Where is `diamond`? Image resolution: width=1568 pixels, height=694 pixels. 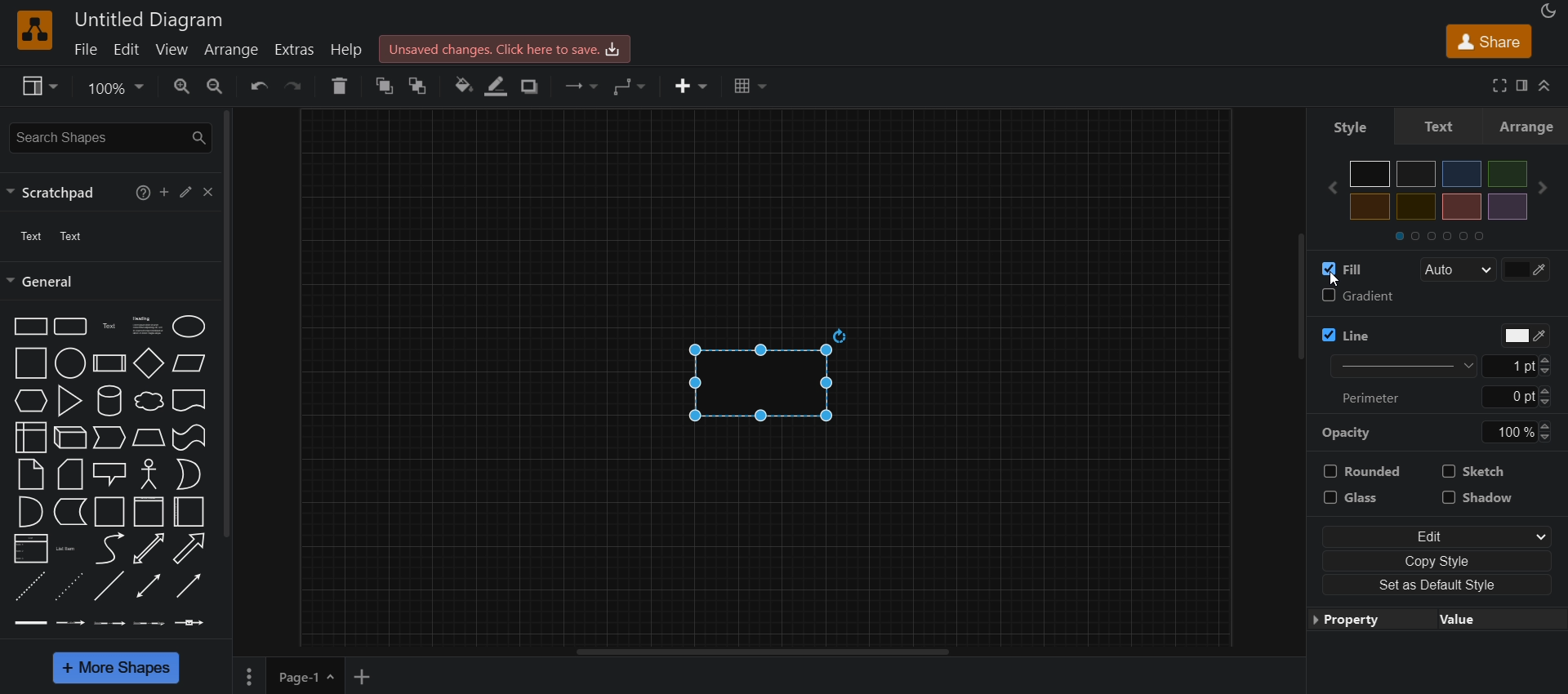 diamond is located at coordinates (150, 362).